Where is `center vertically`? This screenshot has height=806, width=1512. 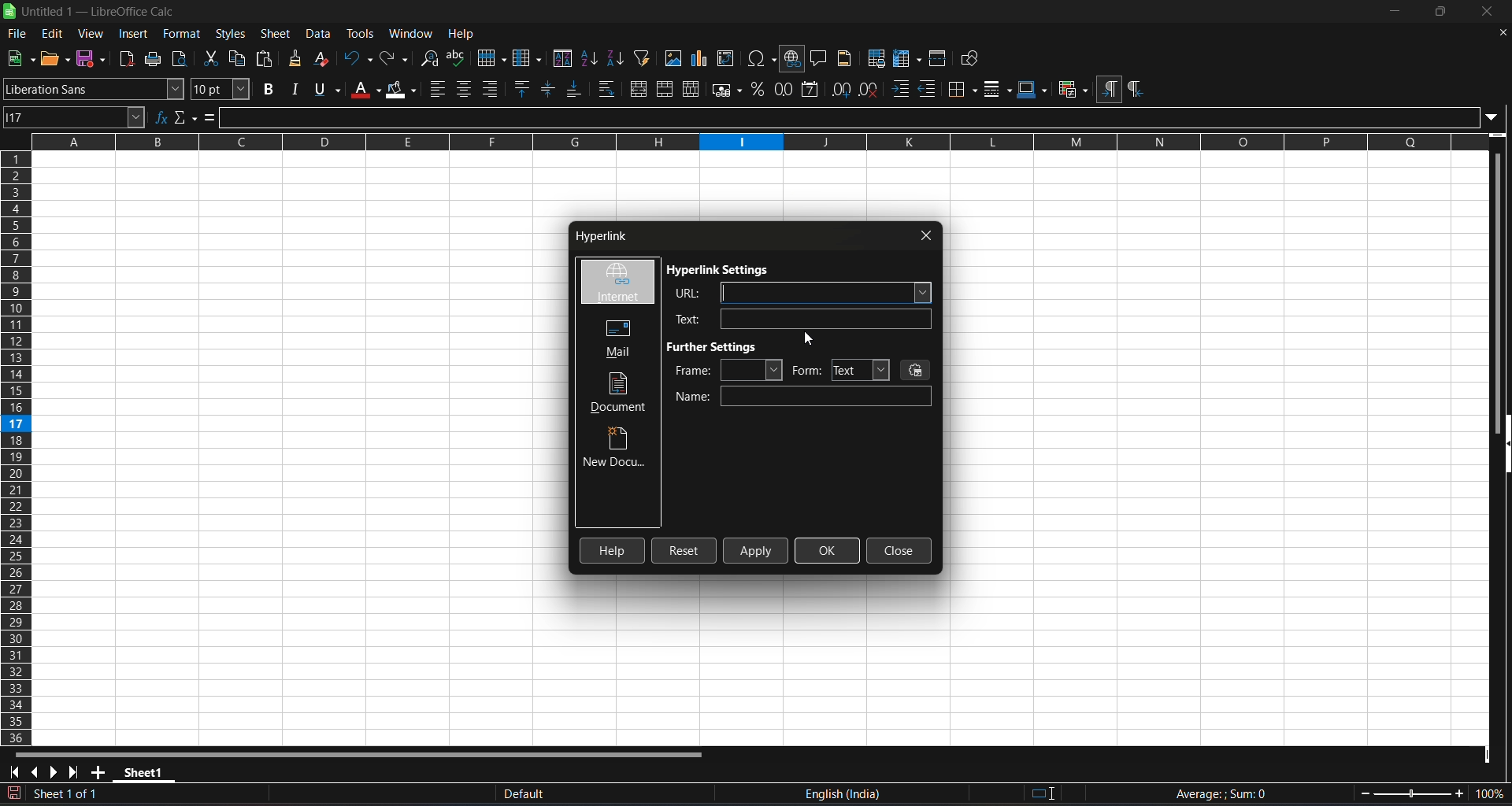 center vertically is located at coordinates (550, 88).